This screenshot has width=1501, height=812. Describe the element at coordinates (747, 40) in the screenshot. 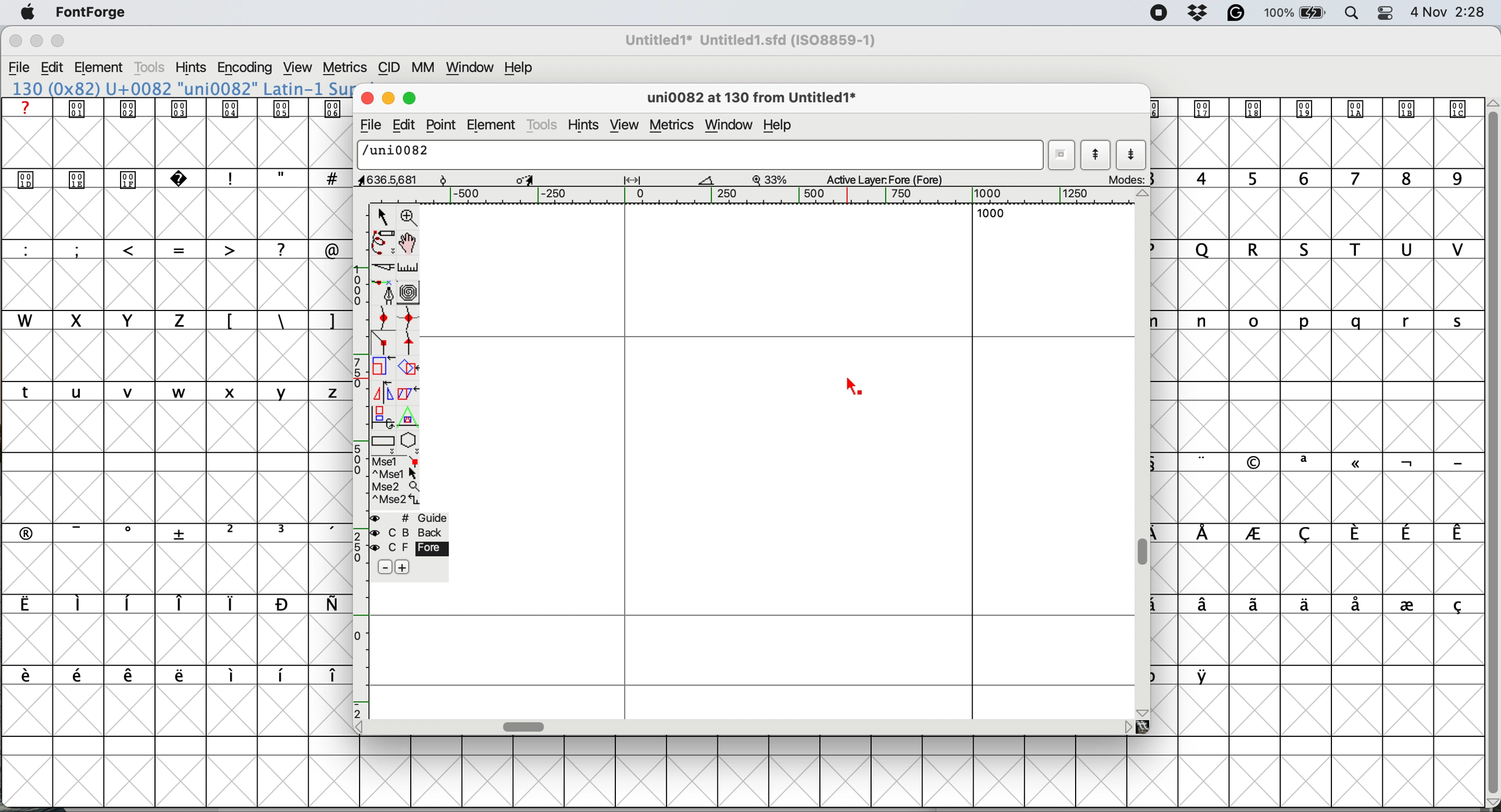

I see `File name` at that location.